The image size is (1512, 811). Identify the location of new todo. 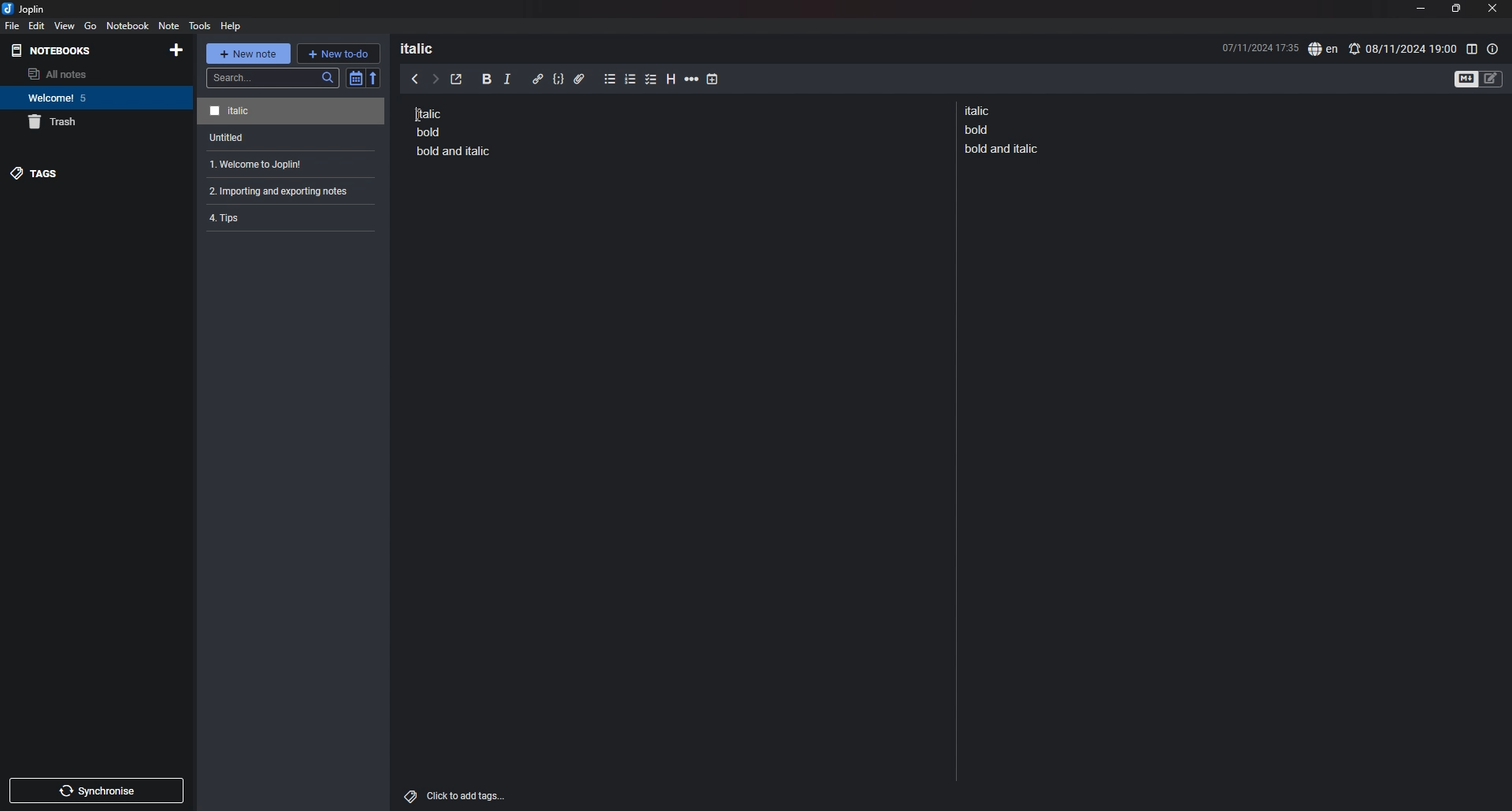
(338, 53).